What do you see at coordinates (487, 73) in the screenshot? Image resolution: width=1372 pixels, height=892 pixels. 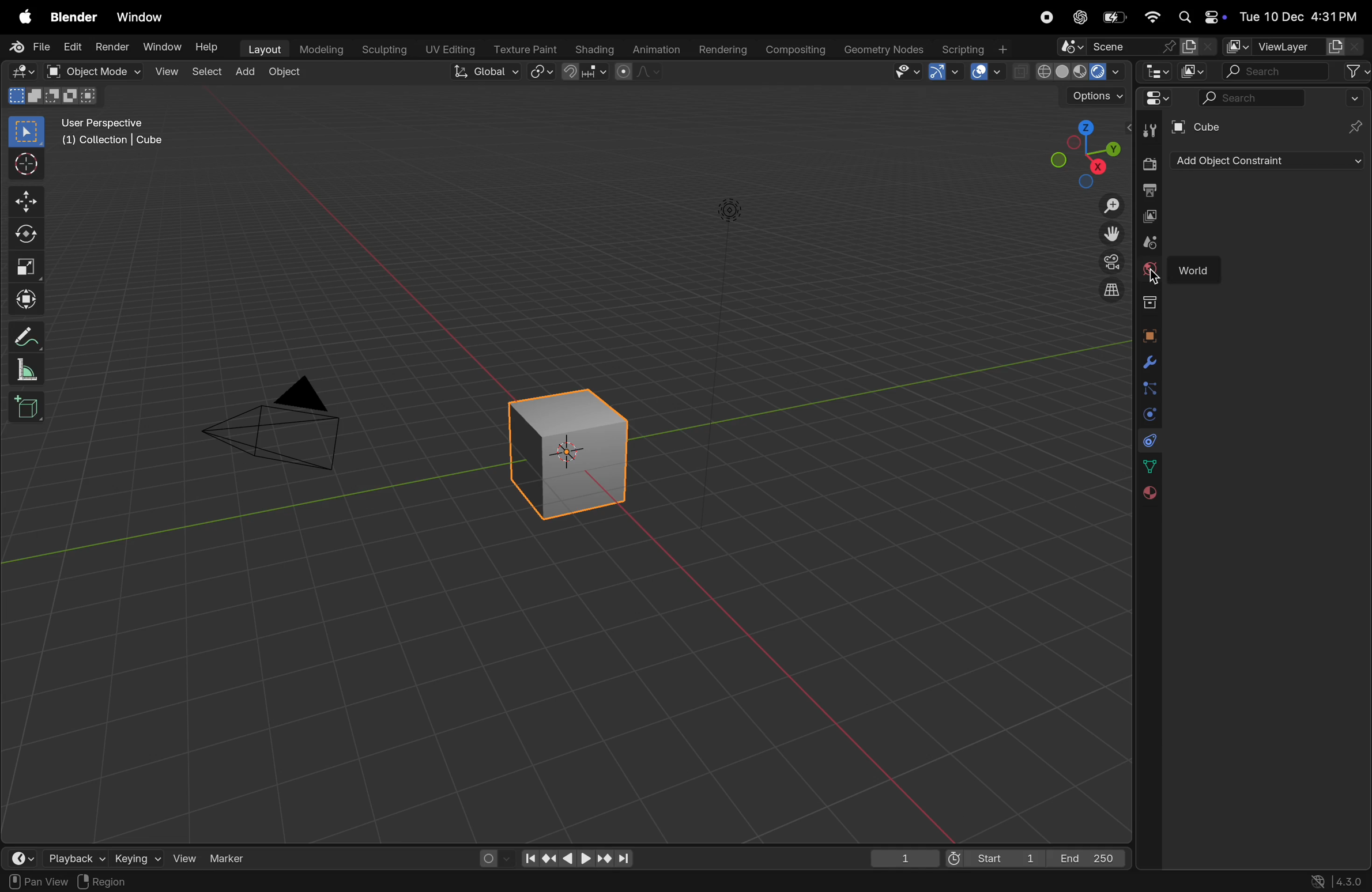 I see `Global` at bounding box center [487, 73].